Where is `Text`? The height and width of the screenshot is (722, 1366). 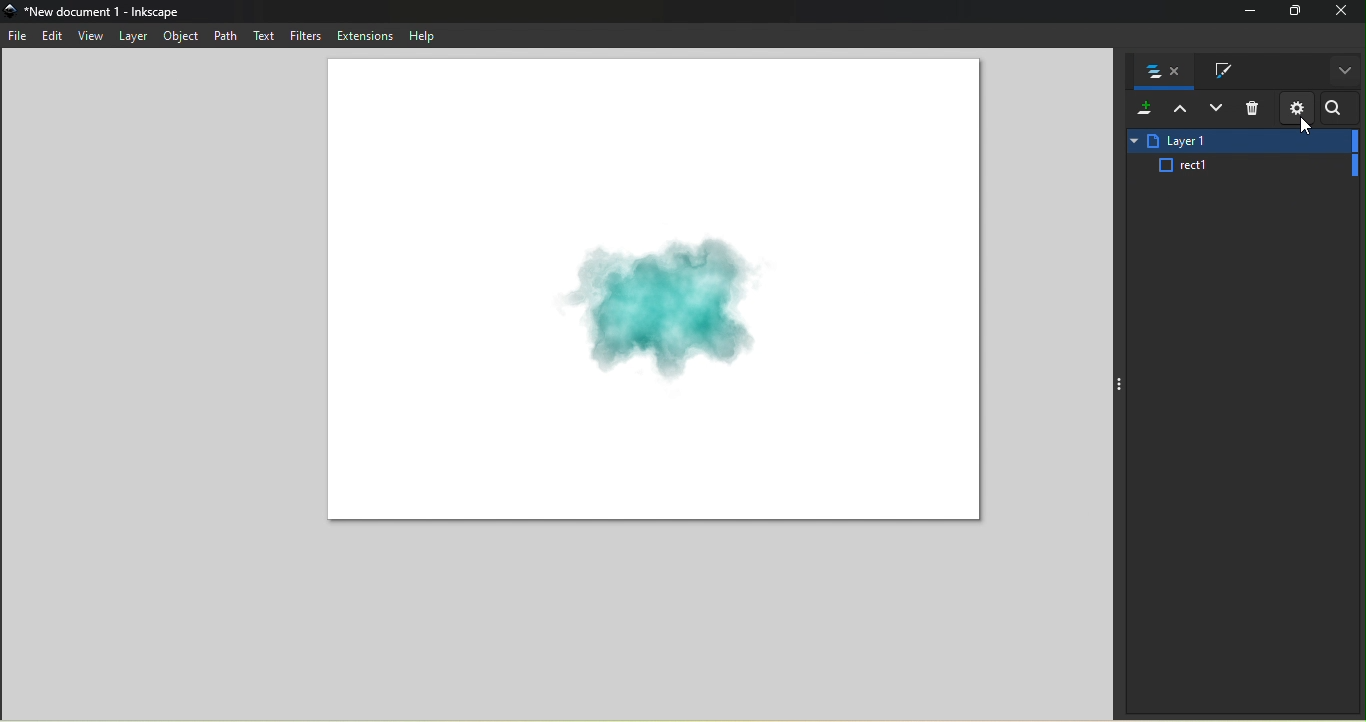 Text is located at coordinates (262, 37).